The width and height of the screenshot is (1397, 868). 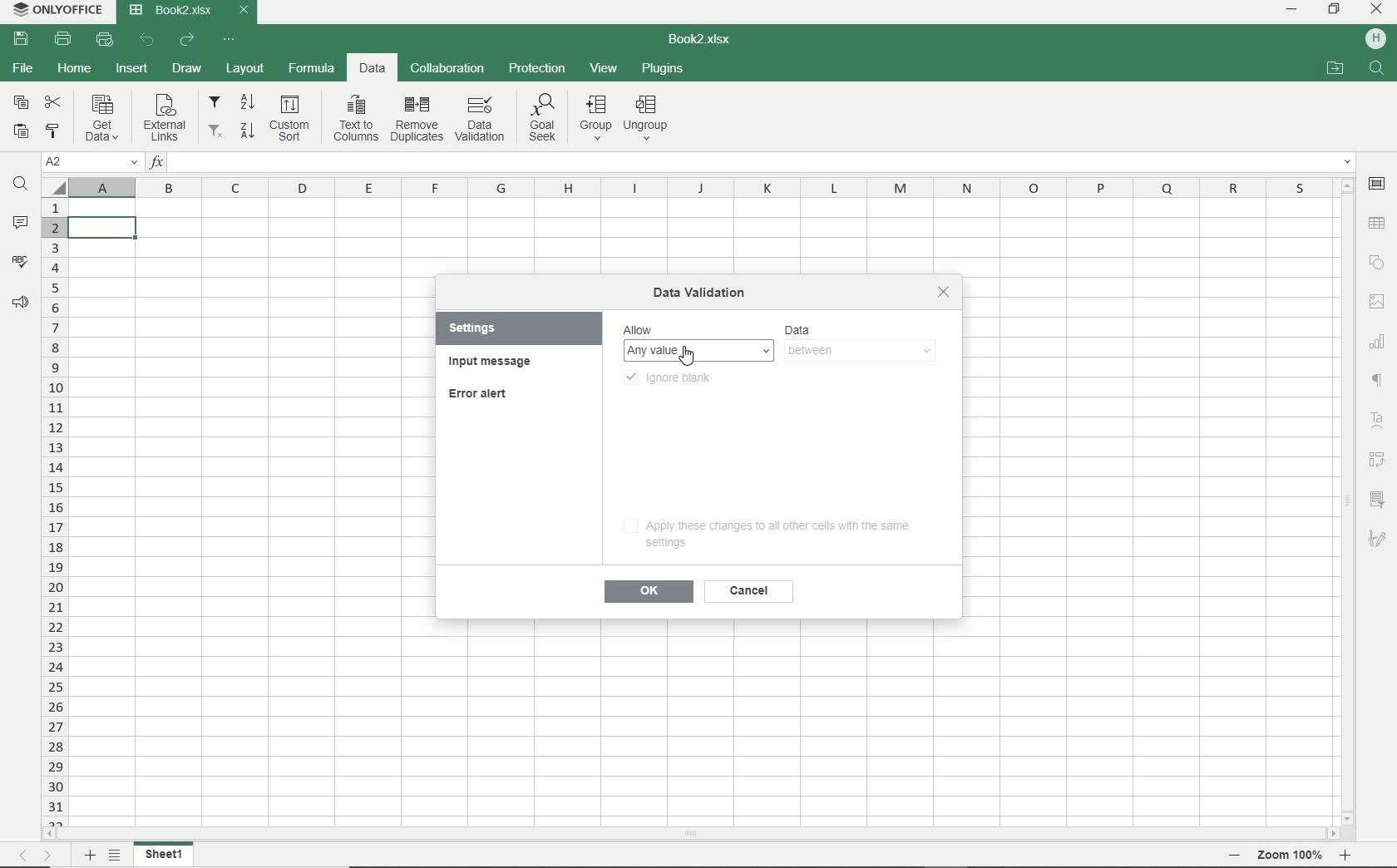 What do you see at coordinates (491, 362) in the screenshot?
I see `input message` at bounding box center [491, 362].